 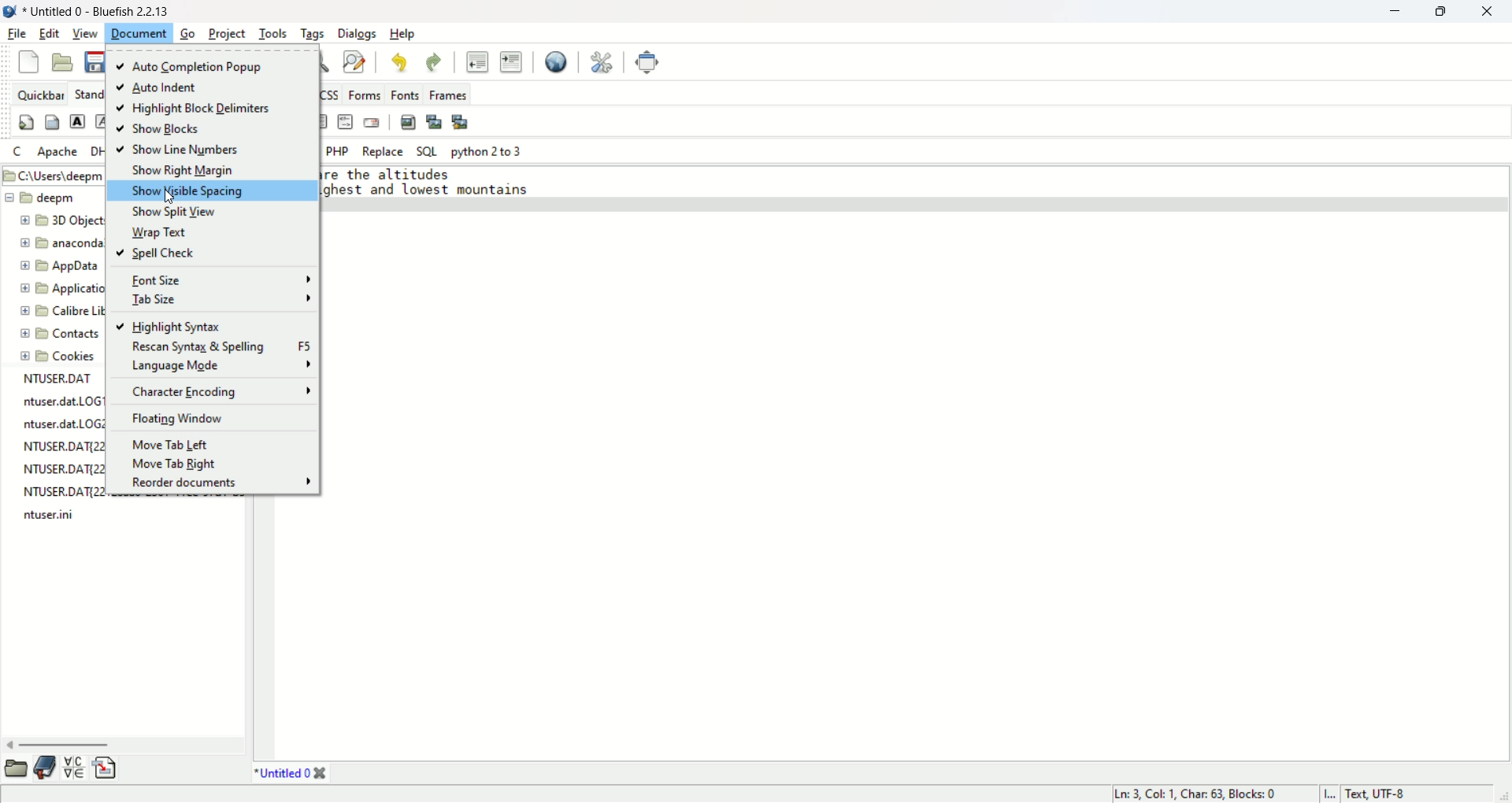 I want to click on character encoding, so click(x=220, y=389).